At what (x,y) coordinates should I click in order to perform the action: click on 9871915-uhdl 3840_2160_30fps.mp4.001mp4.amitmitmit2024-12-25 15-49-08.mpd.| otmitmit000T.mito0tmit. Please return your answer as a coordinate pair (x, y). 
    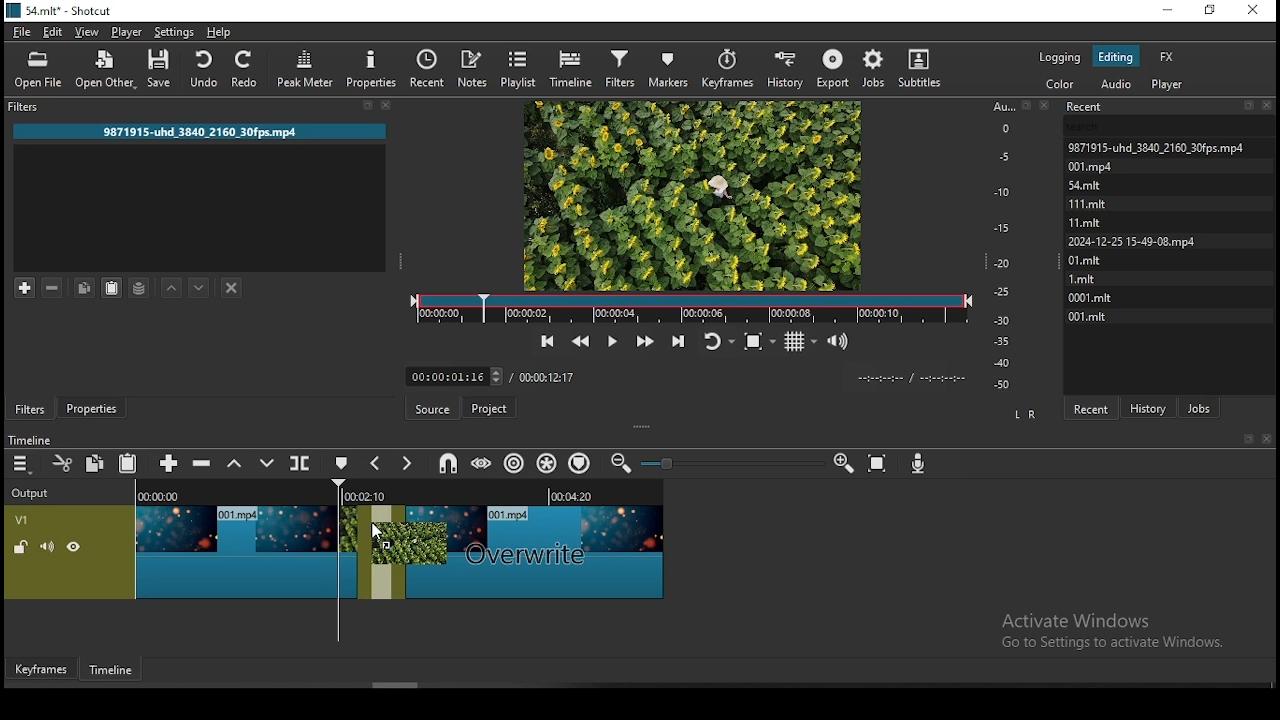
    Looking at the image, I should click on (1171, 230).